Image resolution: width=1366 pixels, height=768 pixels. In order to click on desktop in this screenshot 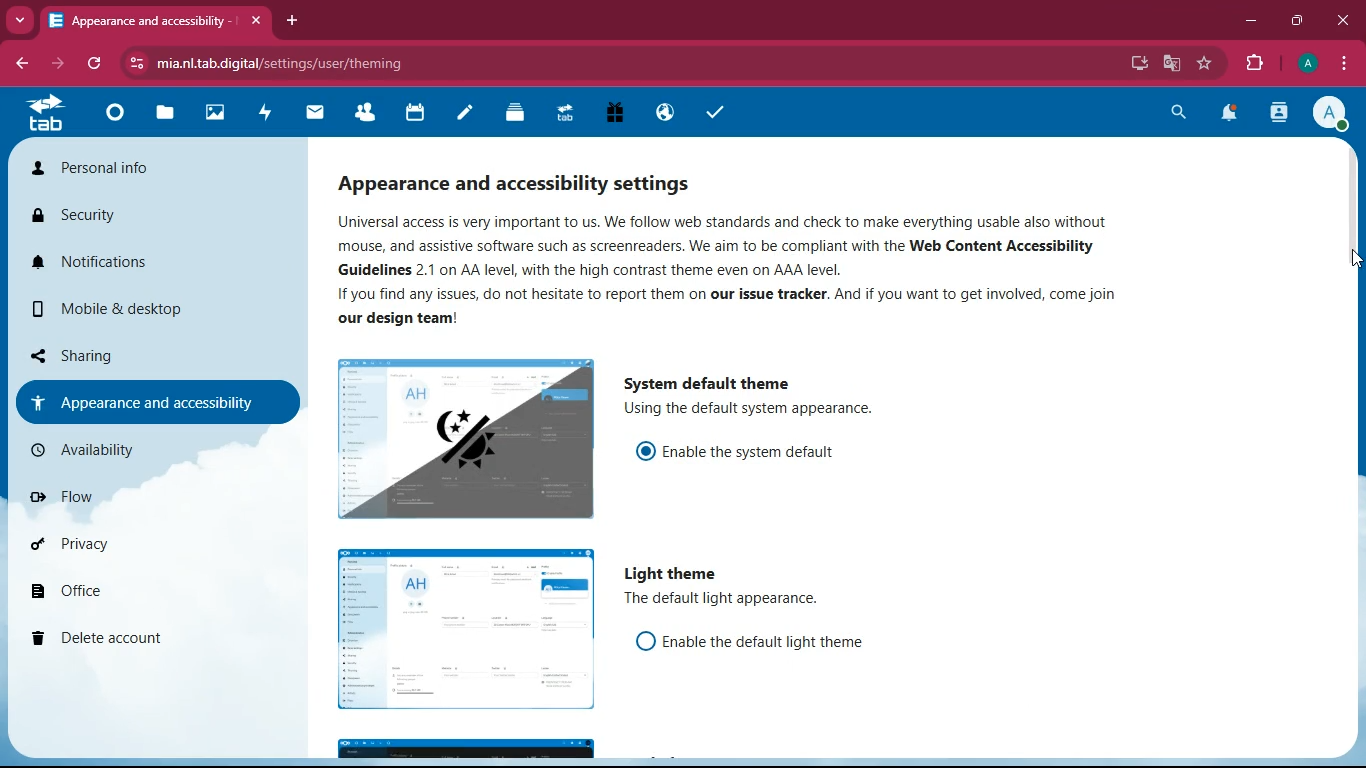, I will do `click(1135, 64)`.